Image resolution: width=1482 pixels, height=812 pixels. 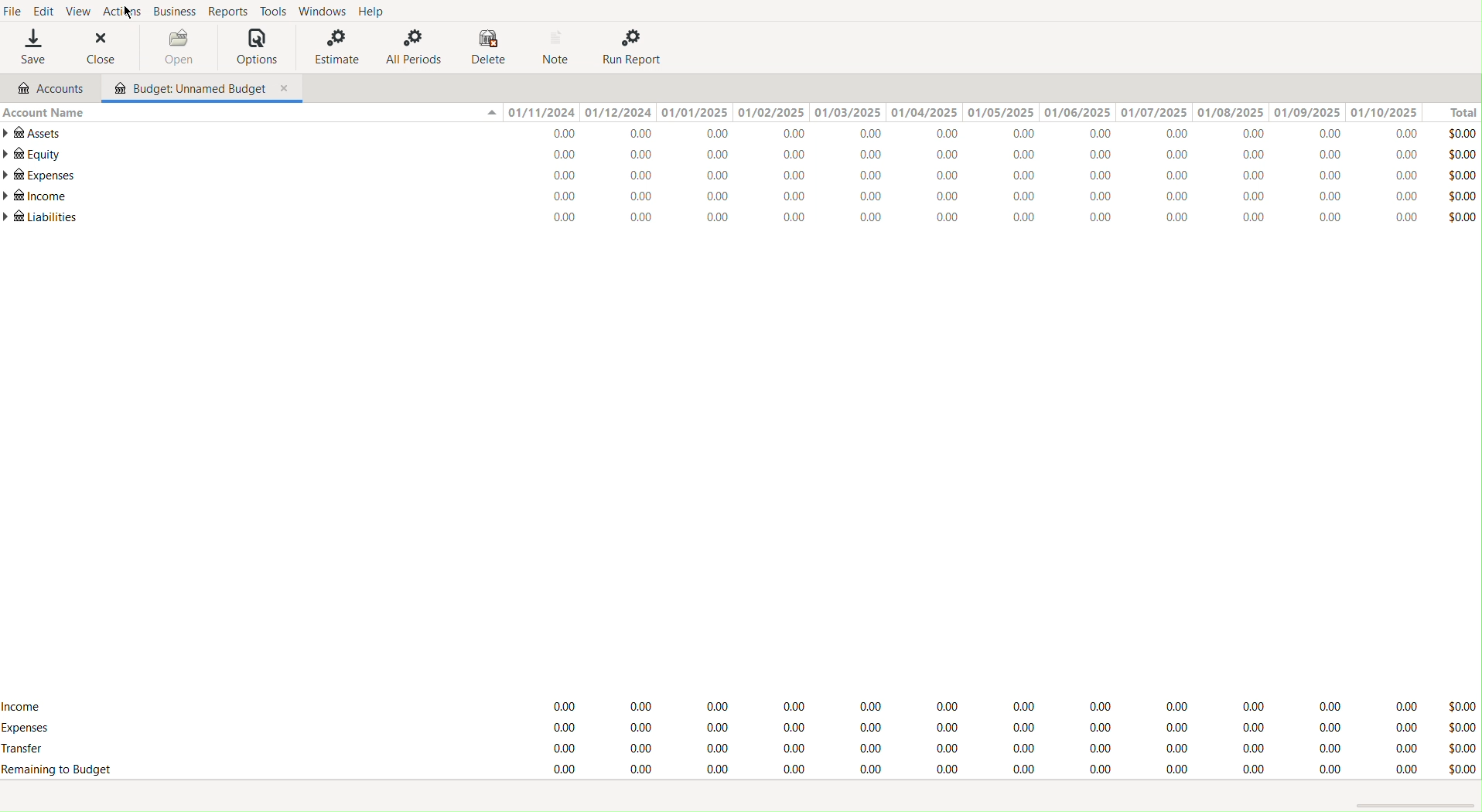 I want to click on Expenses Values, so click(x=985, y=178).